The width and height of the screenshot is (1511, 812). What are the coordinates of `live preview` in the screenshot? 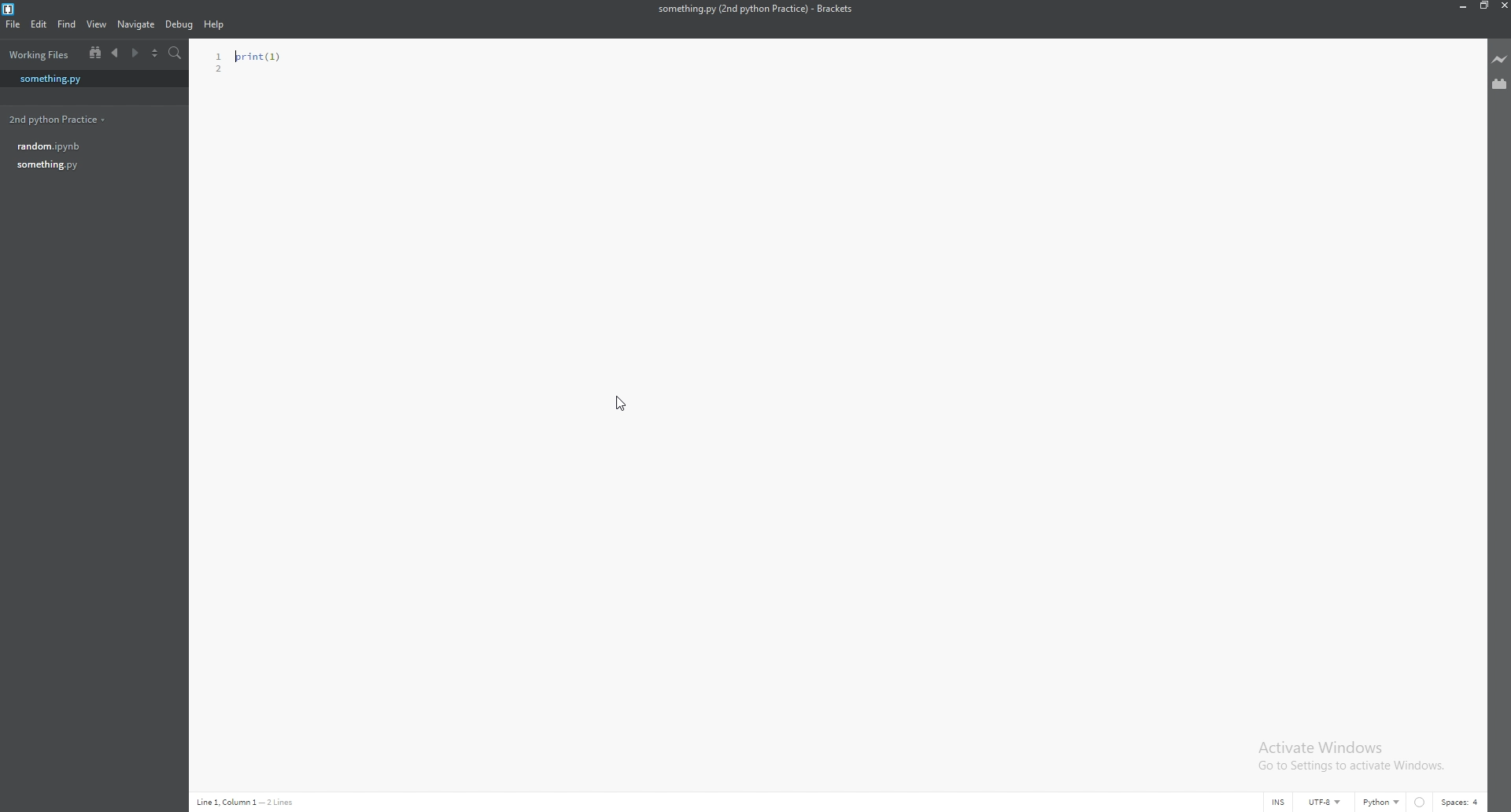 It's located at (1498, 58).